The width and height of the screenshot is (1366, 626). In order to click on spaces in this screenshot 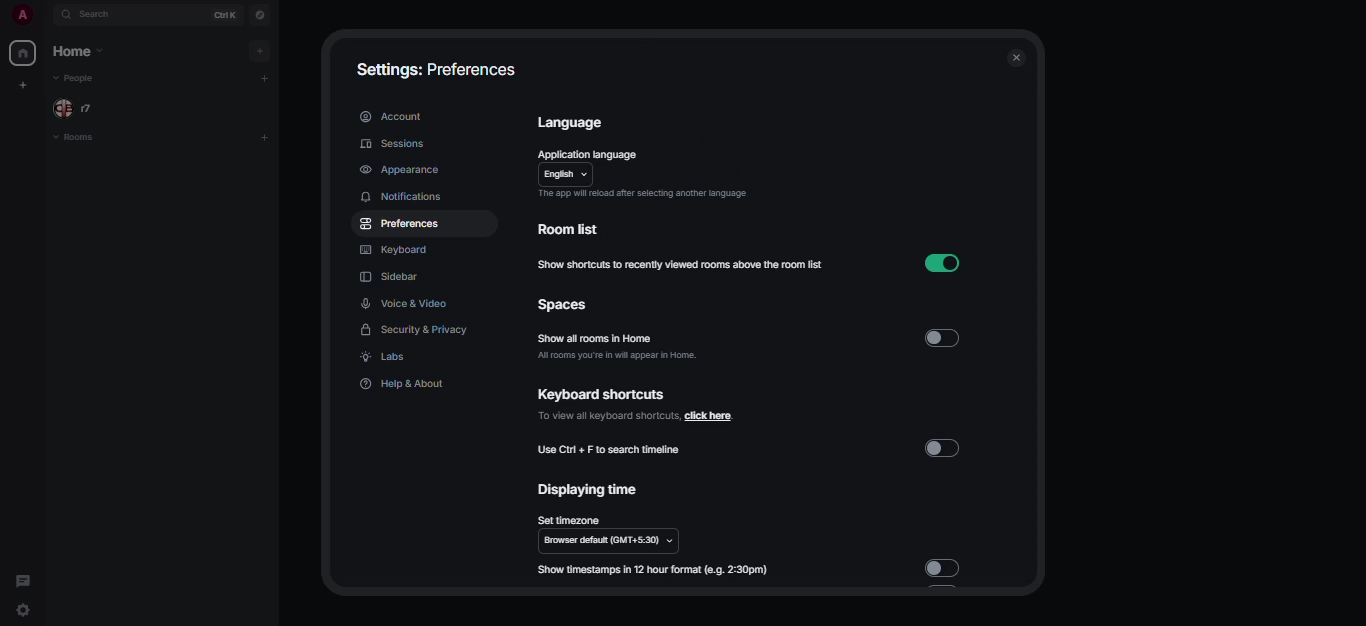, I will do `click(562, 305)`.